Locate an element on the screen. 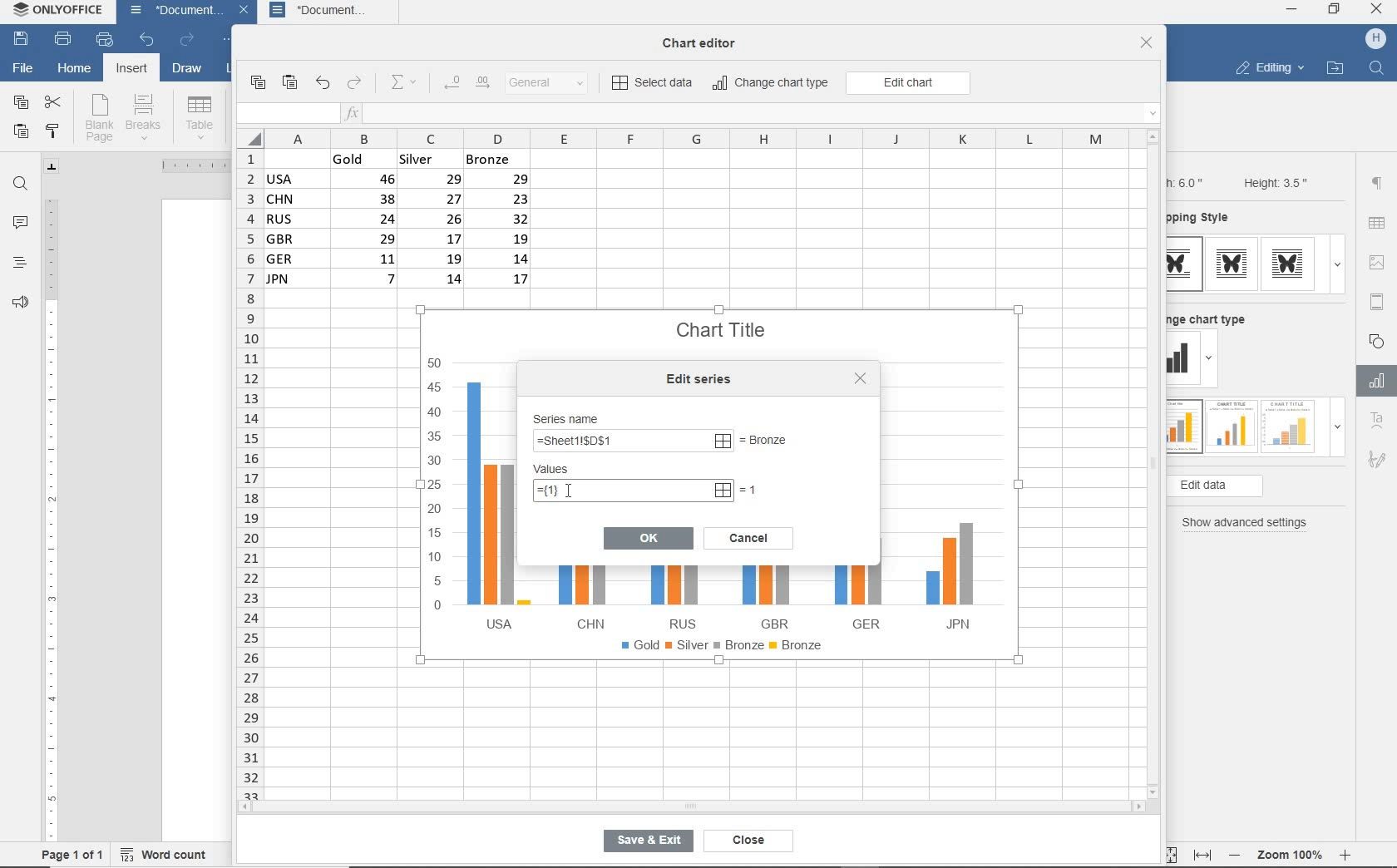  fit to page is located at coordinates (1167, 854).